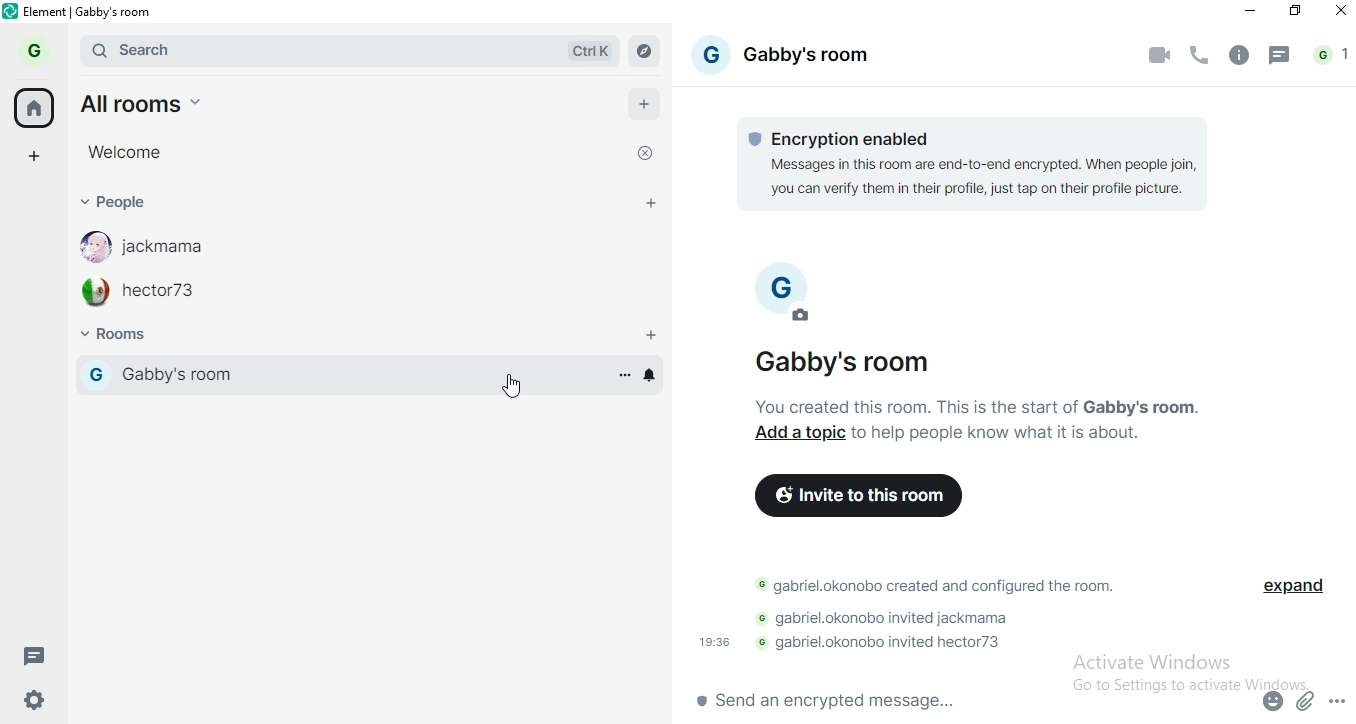 The image size is (1356, 724). I want to click on close, so click(648, 151).